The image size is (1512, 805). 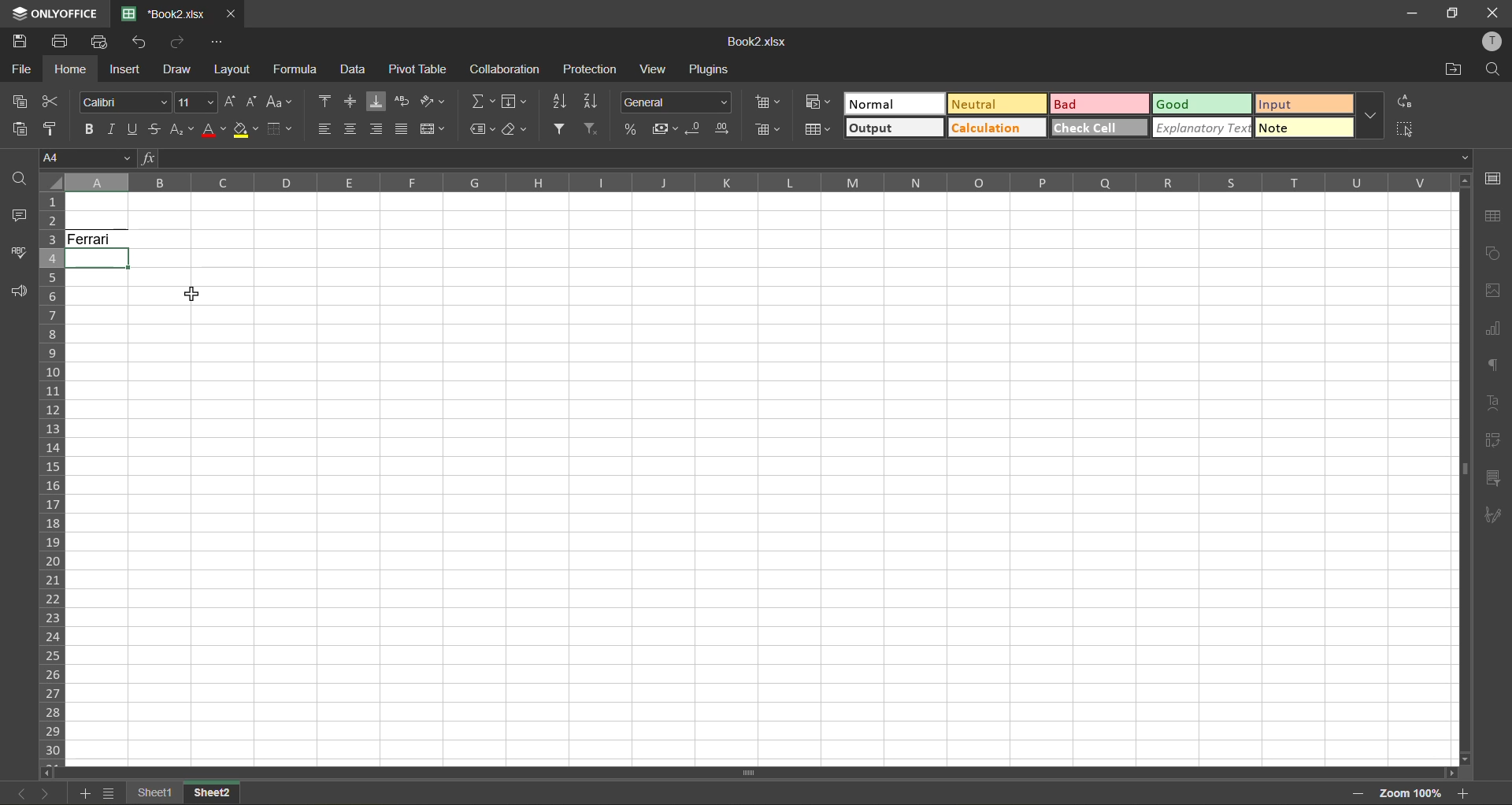 I want to click on insert cells, so click(x=770, y=101).